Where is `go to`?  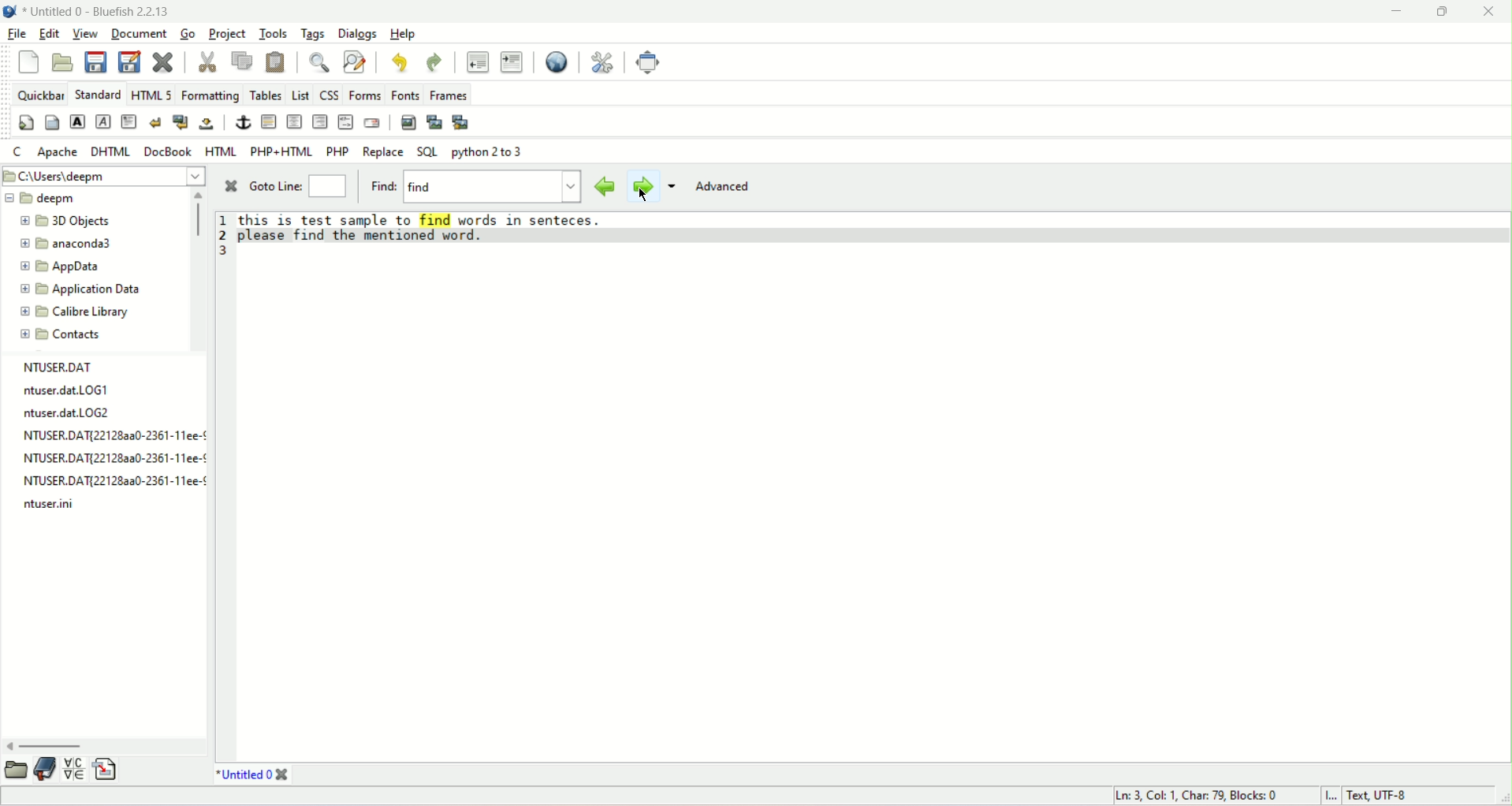
go to is located at coordinates (275, 185).